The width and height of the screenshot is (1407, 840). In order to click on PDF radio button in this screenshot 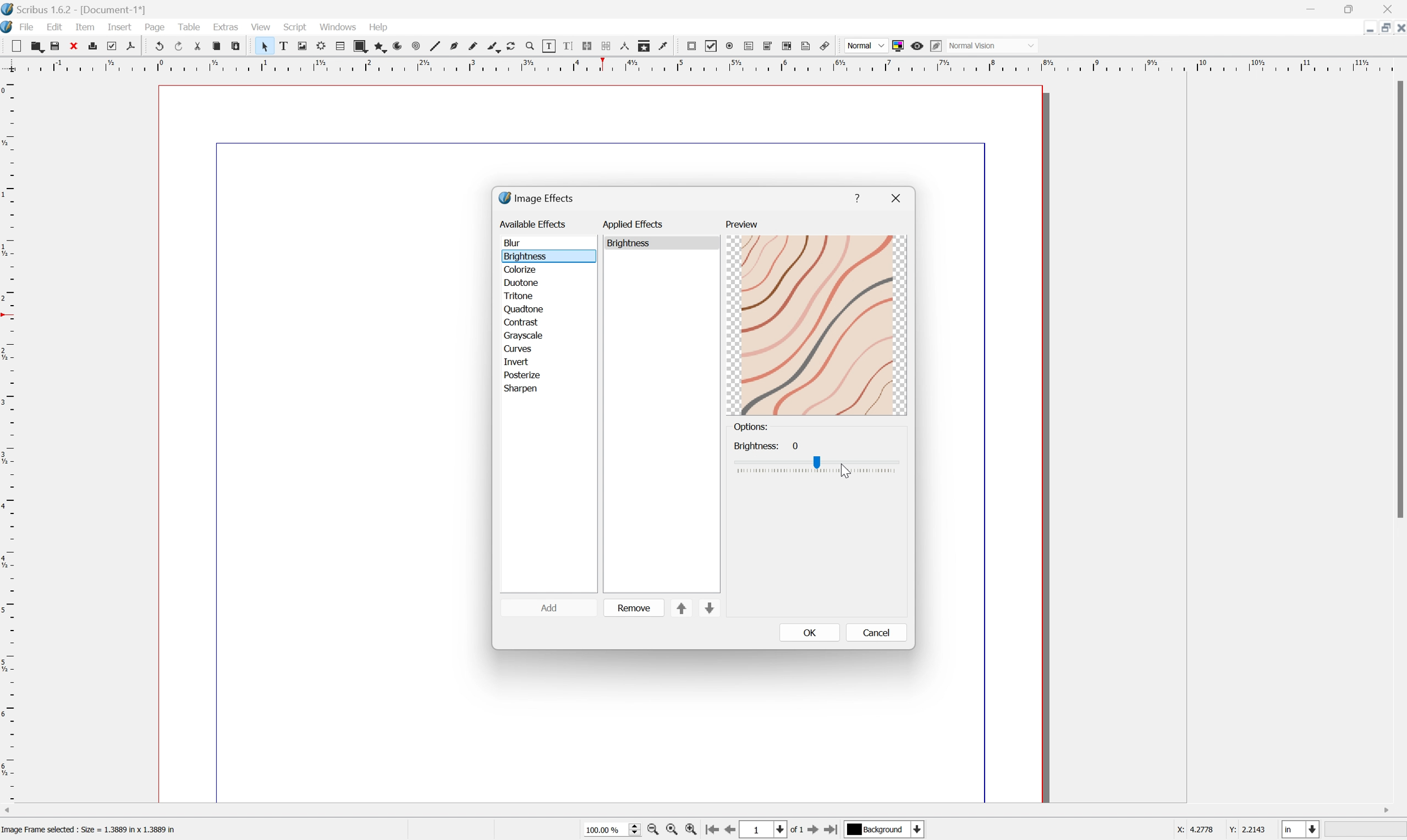, I will do `click(729, 46)`.